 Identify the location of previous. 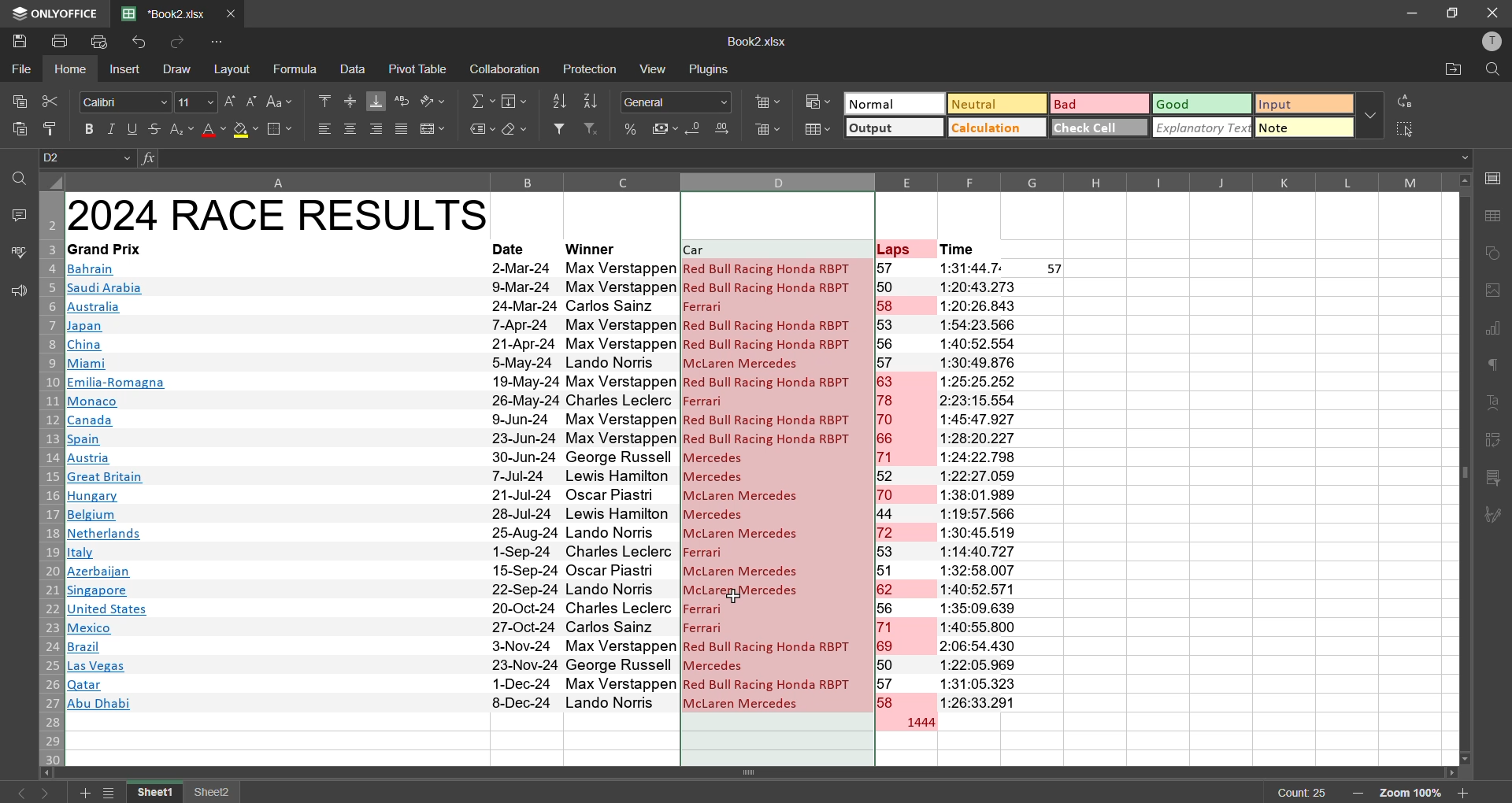
(17, 793).